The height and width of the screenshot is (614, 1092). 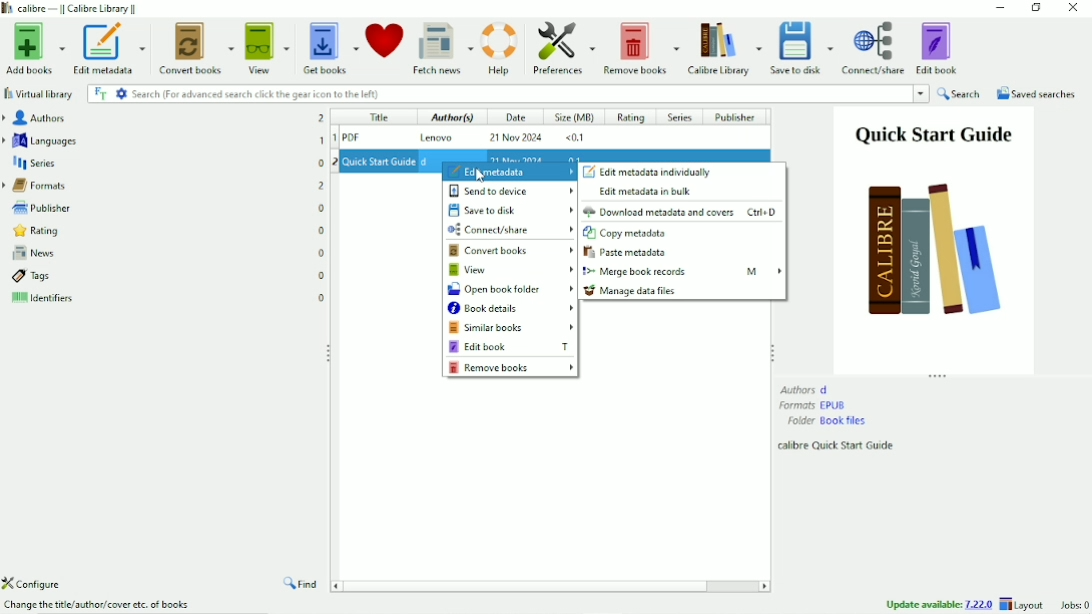 What do you see at coordinates (960, 94) in the screenshot?
I see `Search` at bounding box center [960, 94].